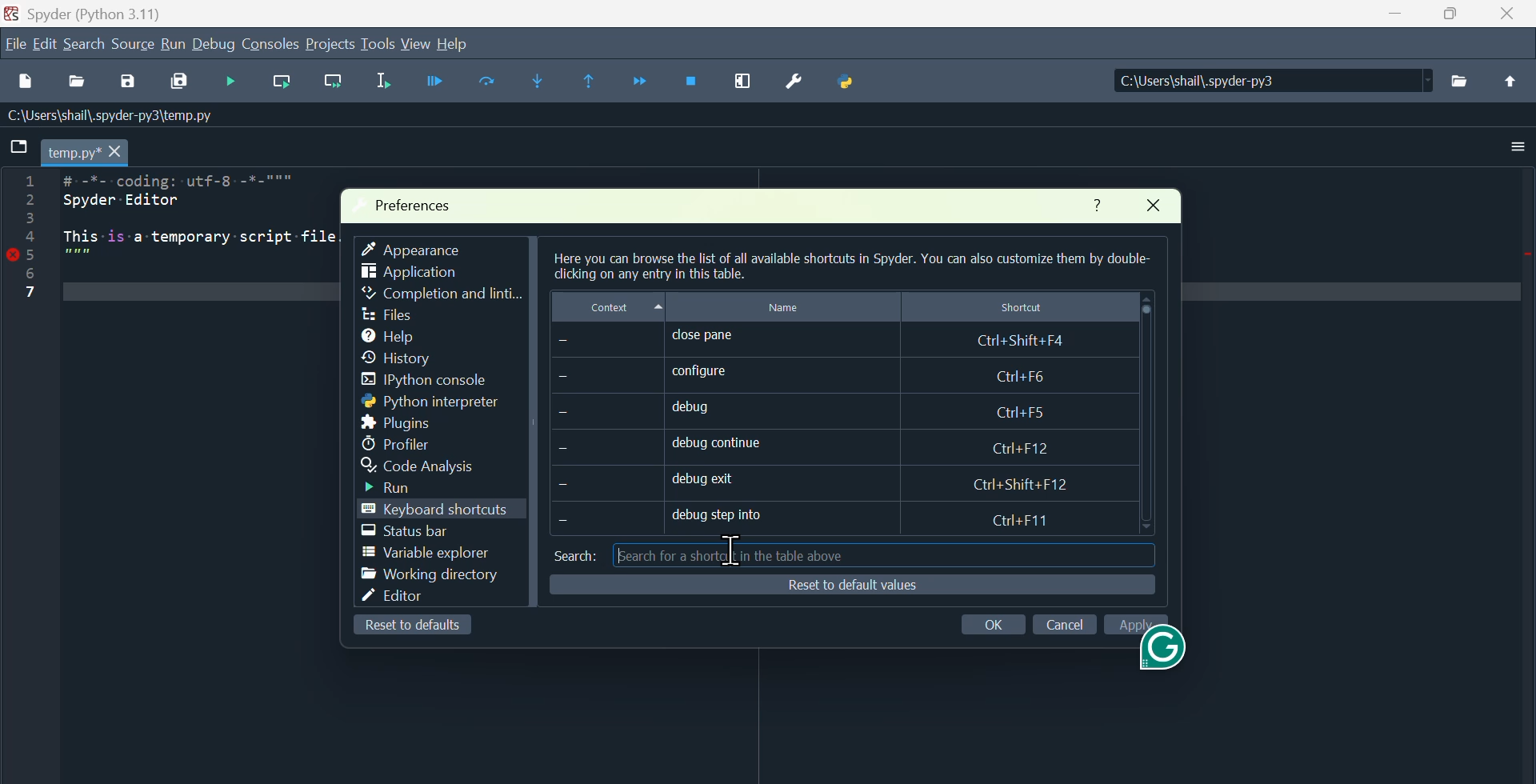 The image size is (1536, 784). Describe the element at coordinates (622, 309) in the screenshot. I see `content` at that location.